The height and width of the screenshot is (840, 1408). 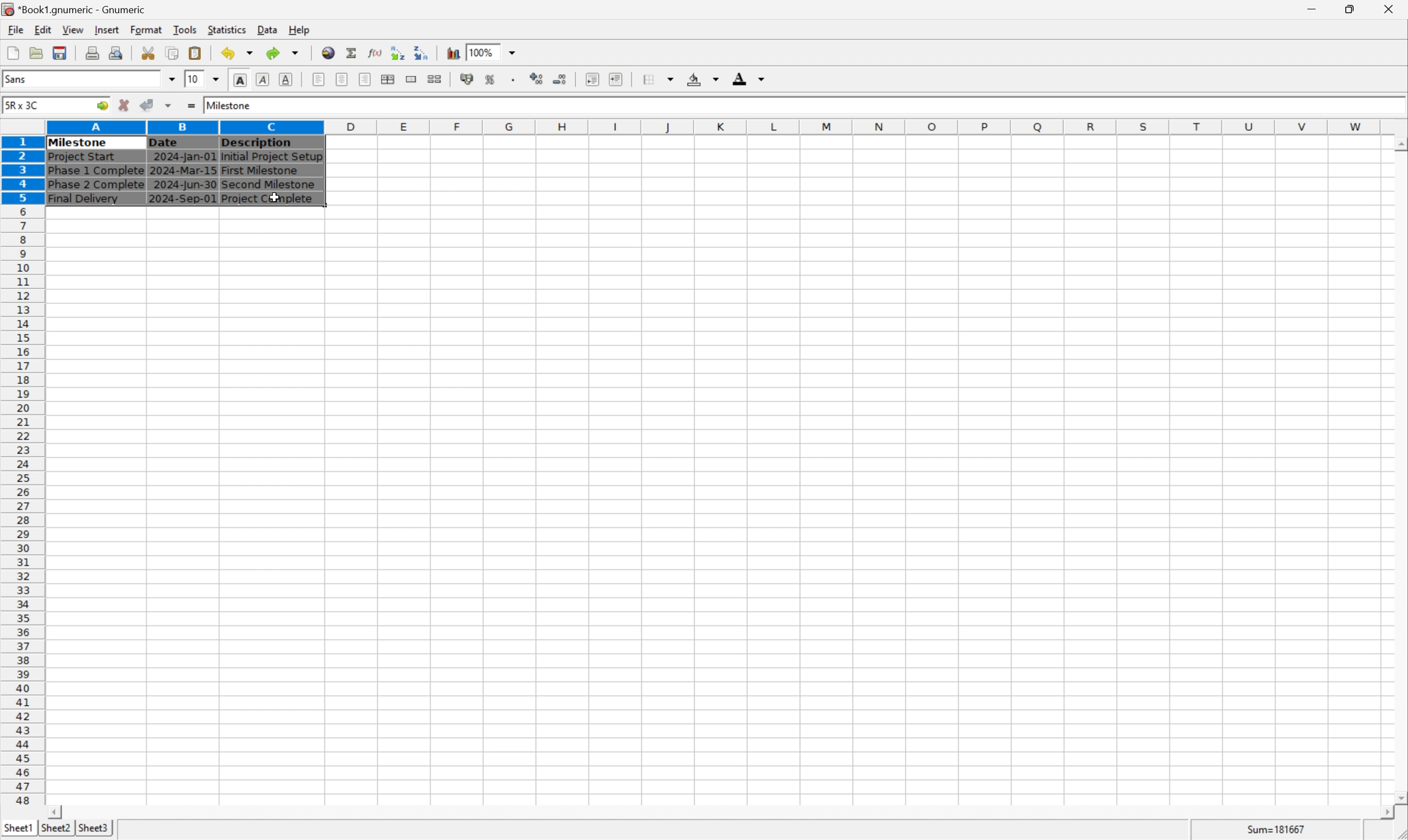 What do you see at coordinates (483, 50) in the screenshot?
I see `100%` at bounding box center [483, 50].